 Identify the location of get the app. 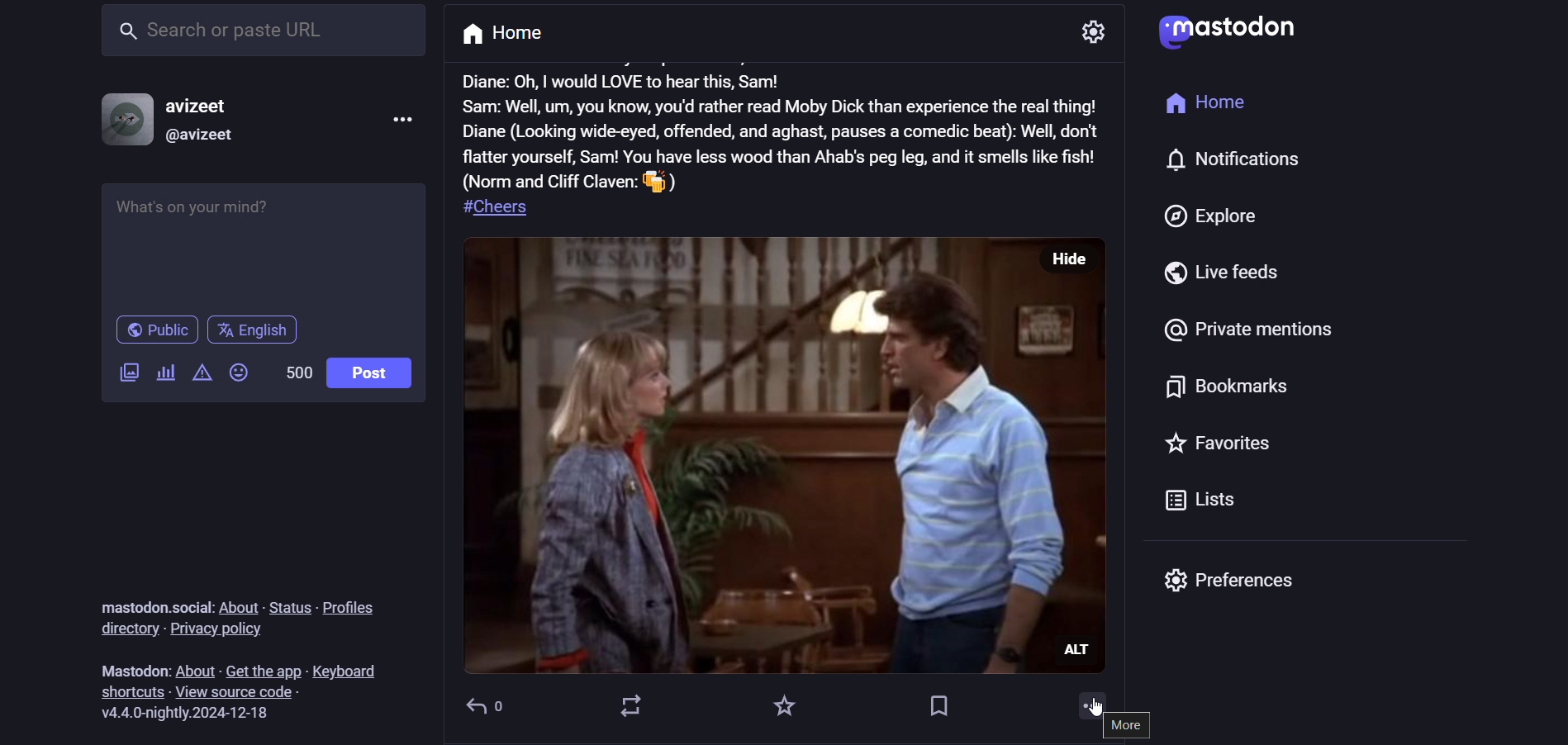
(265, 667).